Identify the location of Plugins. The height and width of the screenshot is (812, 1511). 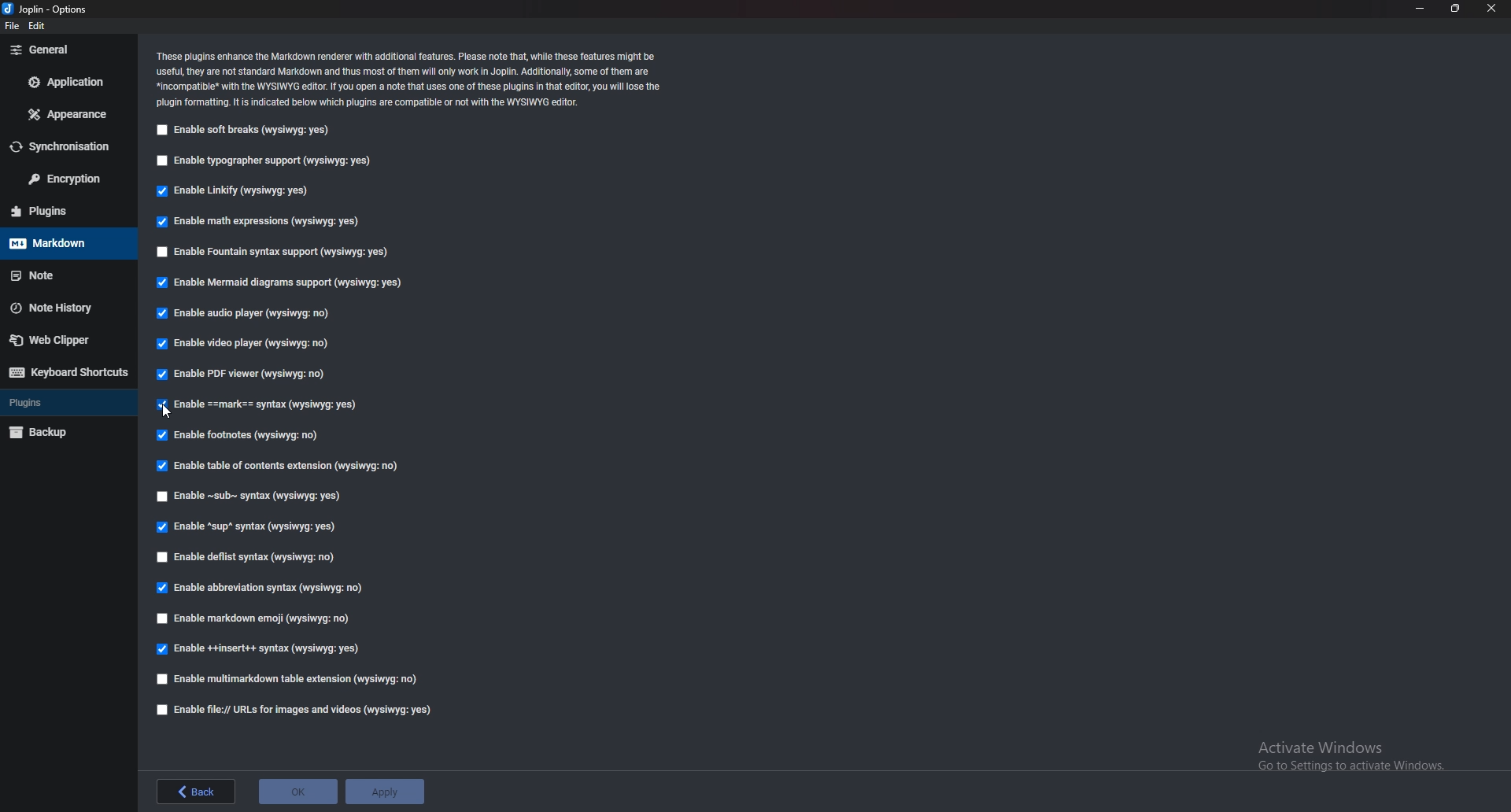
(65, 402).